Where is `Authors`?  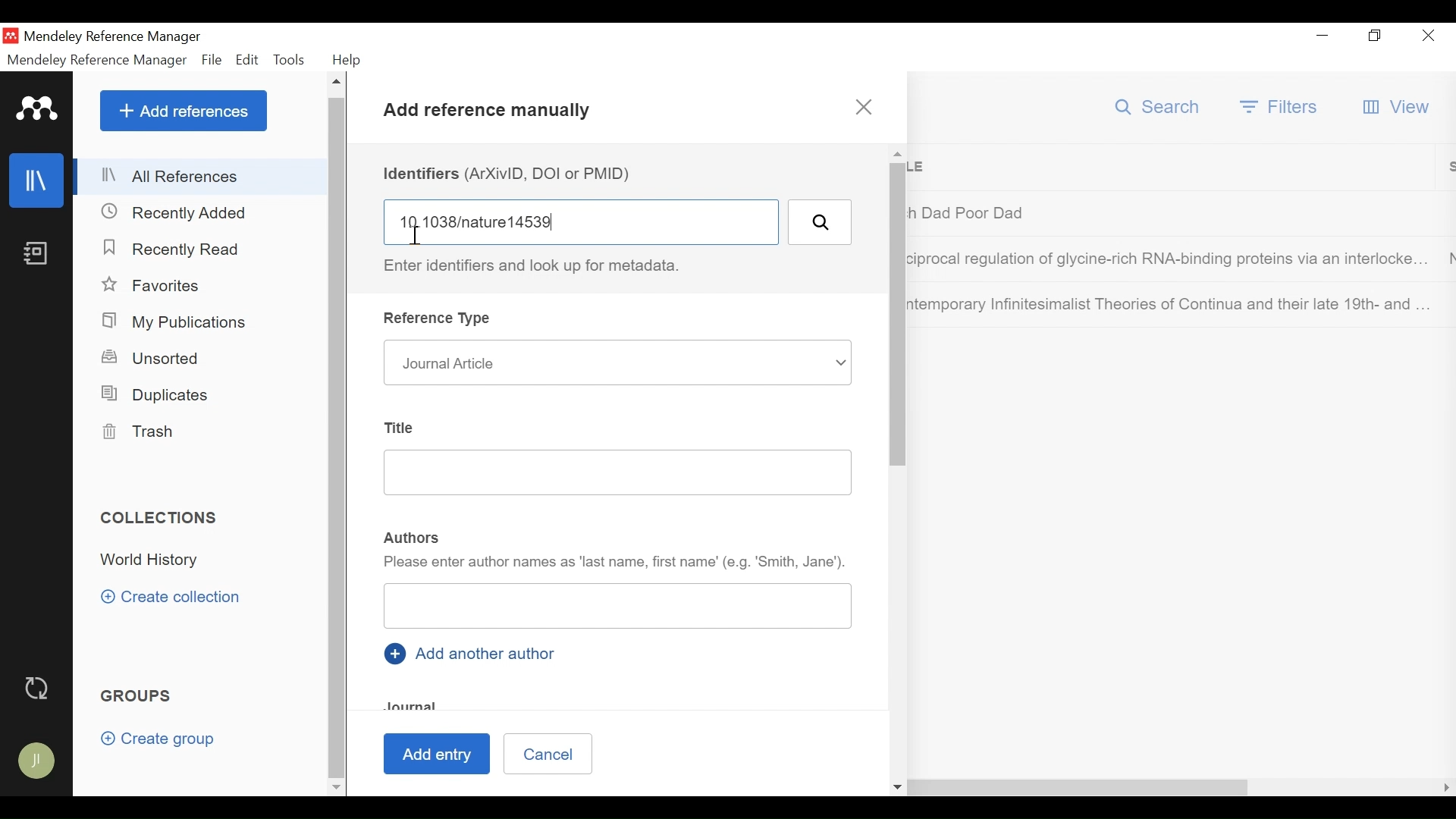 Authors is located at coordinates (413, 536).